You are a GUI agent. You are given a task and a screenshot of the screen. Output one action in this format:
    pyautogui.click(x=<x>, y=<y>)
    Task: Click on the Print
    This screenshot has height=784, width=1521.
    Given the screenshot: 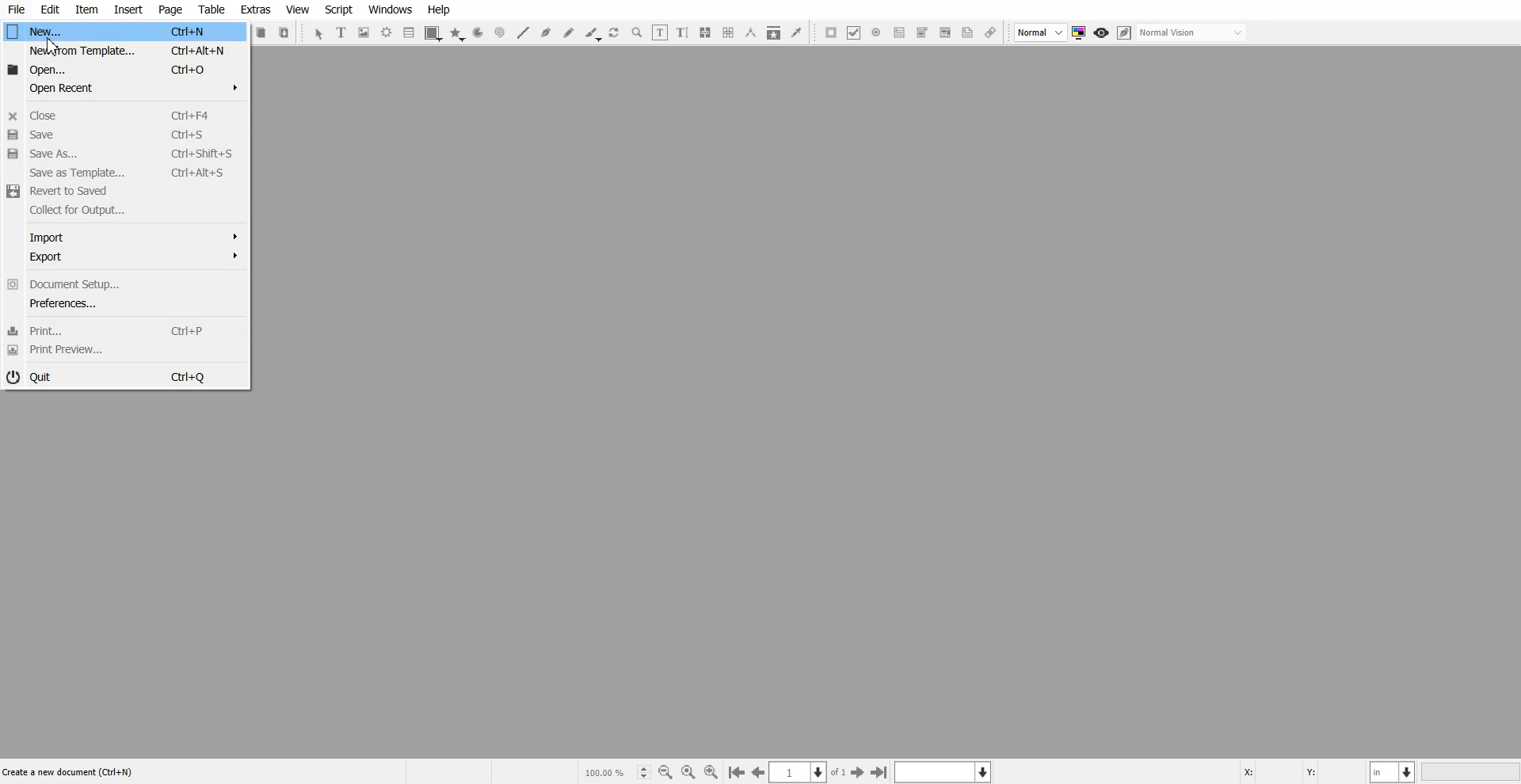 What is the action you would take?
    pyautogui.click(x=123, y=330)
    